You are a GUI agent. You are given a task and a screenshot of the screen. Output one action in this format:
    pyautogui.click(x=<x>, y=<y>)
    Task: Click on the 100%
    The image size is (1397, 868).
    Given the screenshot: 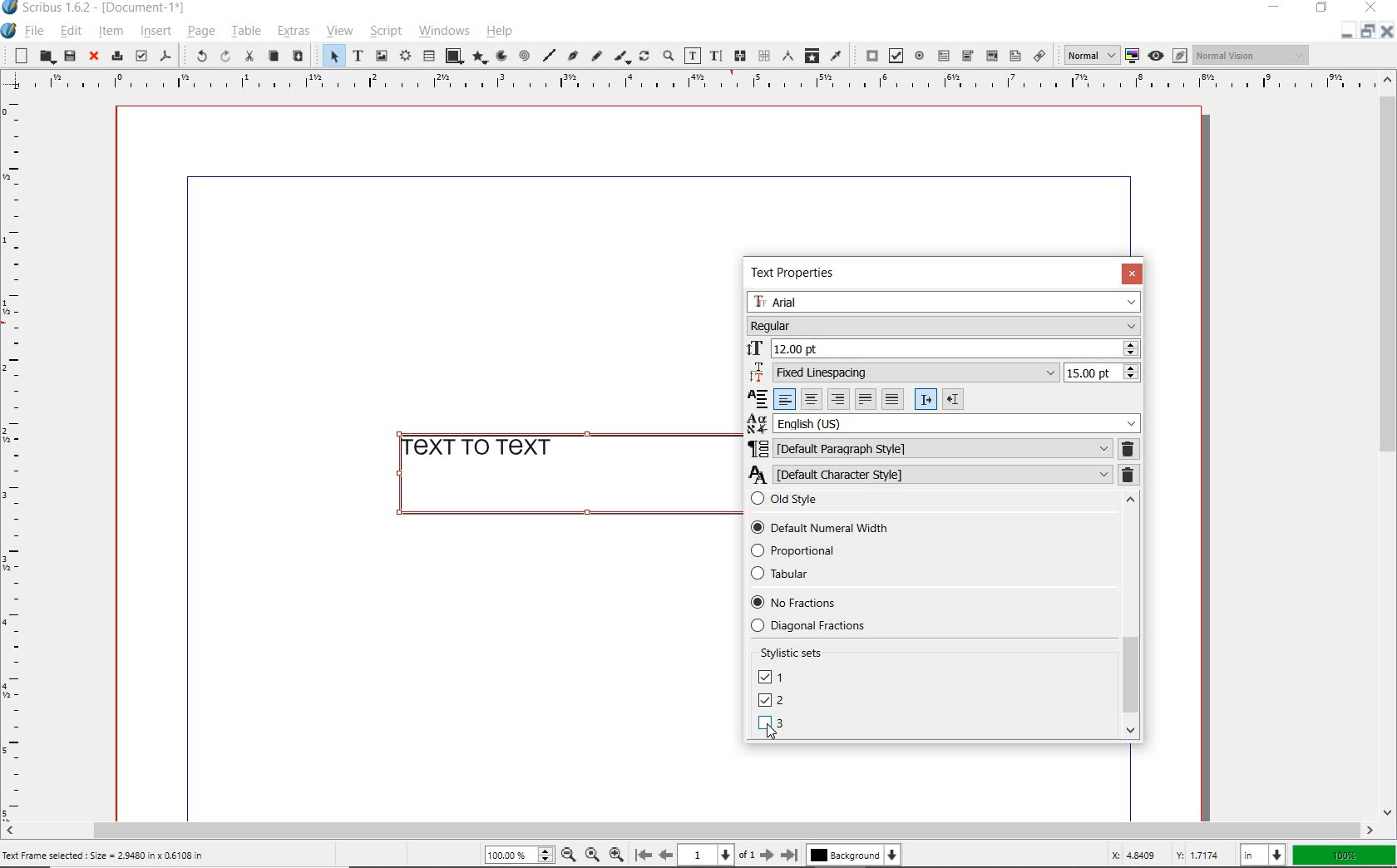 What is the action you would take?
    pyautogui.click(x=516, y=856)
    